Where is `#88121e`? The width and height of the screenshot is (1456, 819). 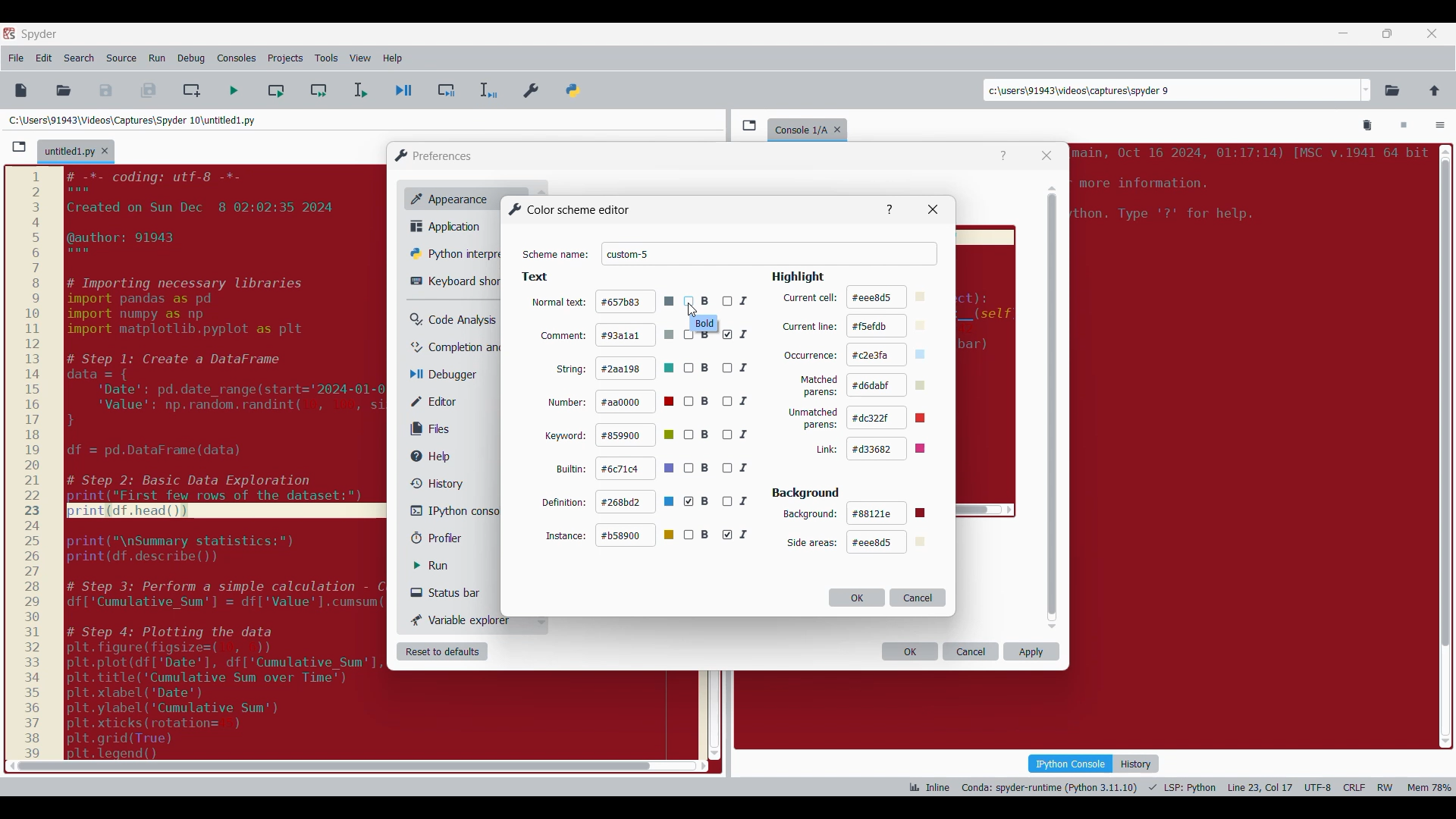 #88121e is located at coordinates (889, 513).